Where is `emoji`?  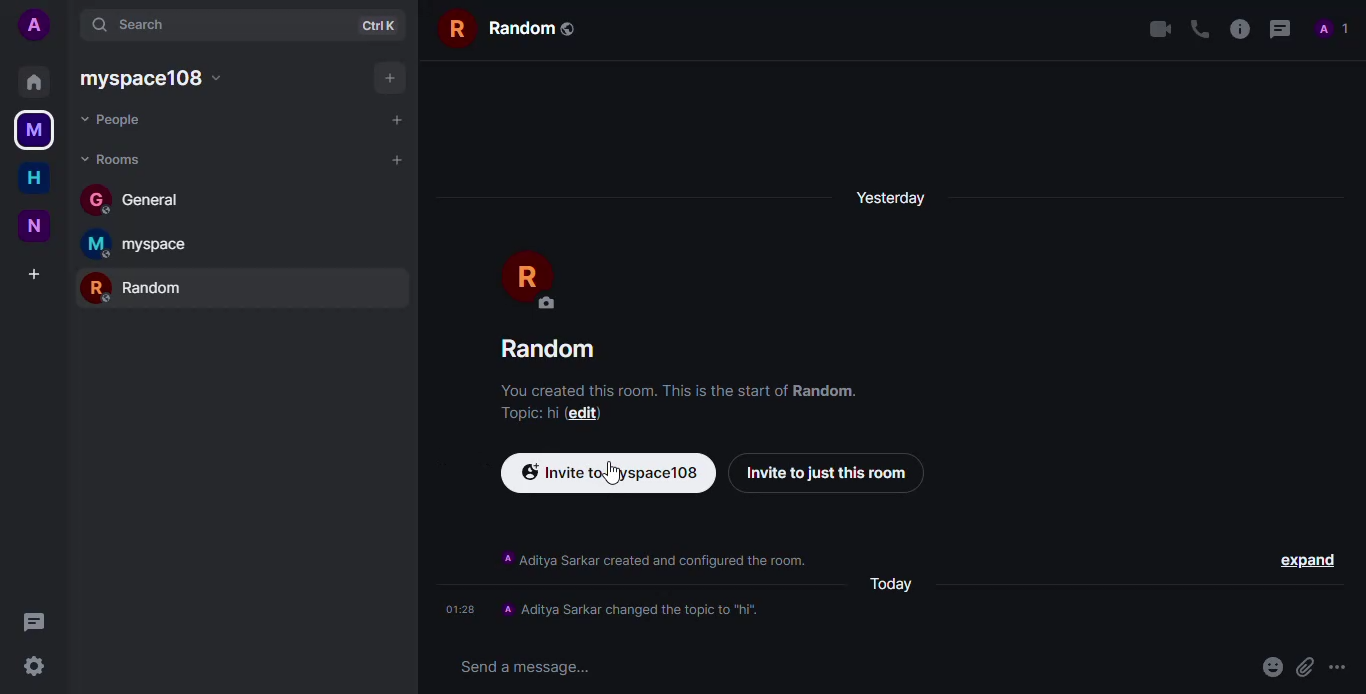 emoji is located at coordinates (1268, 668).